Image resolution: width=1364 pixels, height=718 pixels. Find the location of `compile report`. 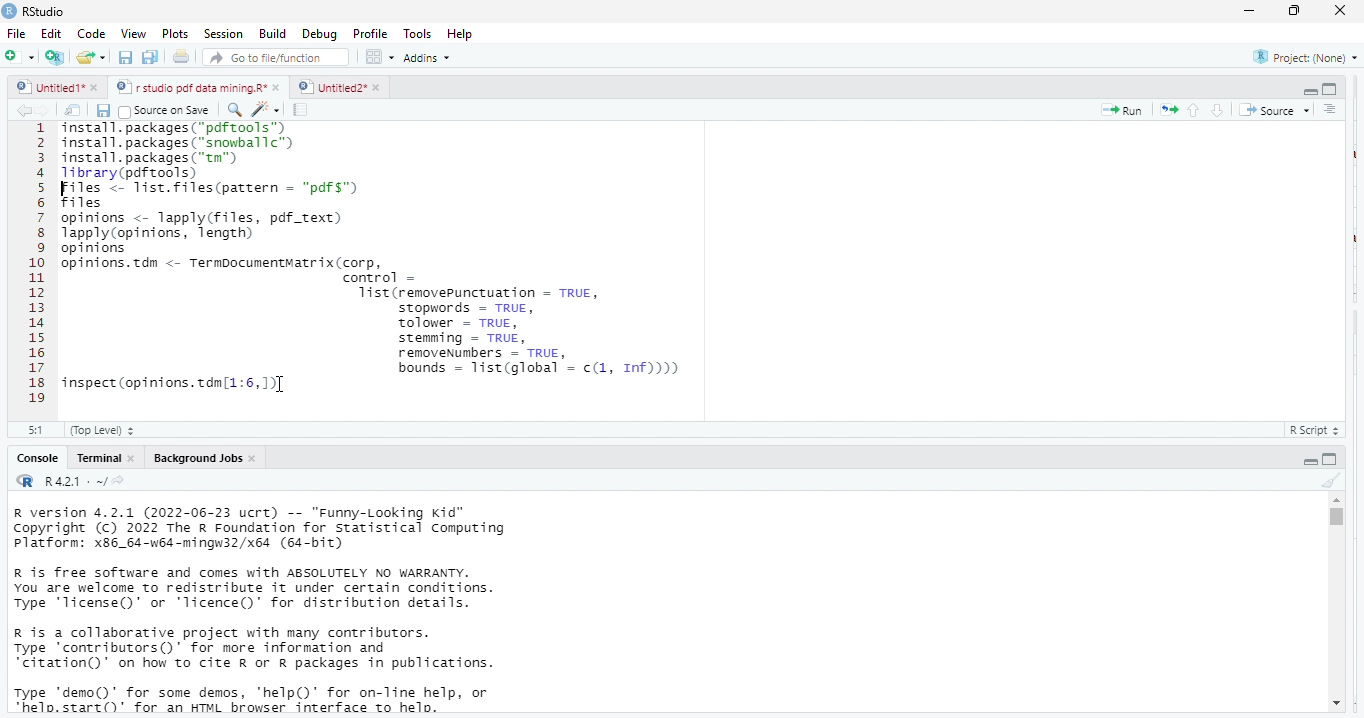

compile report is located at coordinates (303, 110).